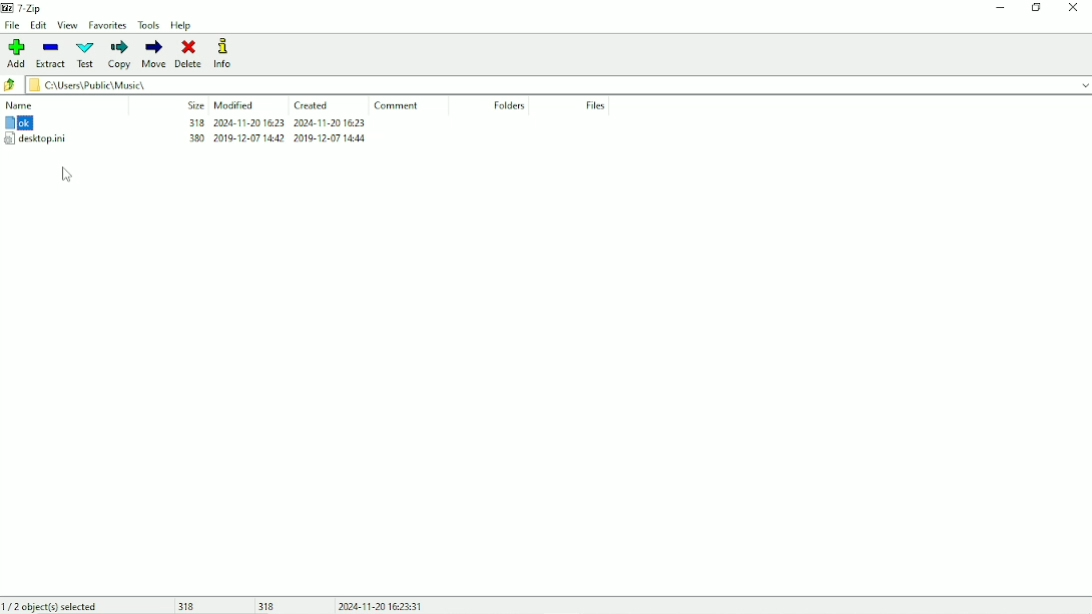  What do you see at coordinates (235, 105) in the screenshot?
I see `Modified` at bounding box center [235, 105].